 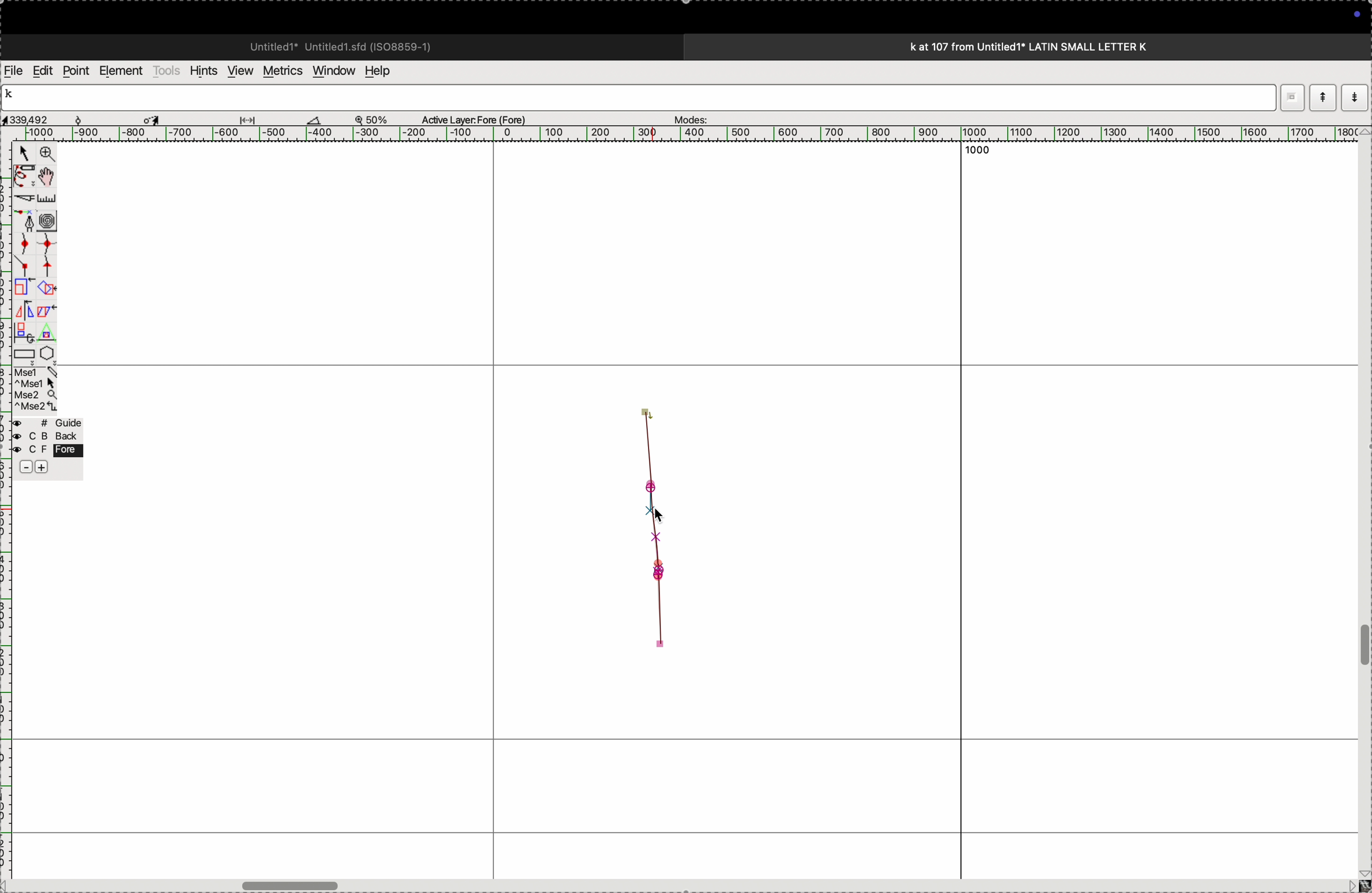 I want to click on fountain pen, so click(x=28, y=221).